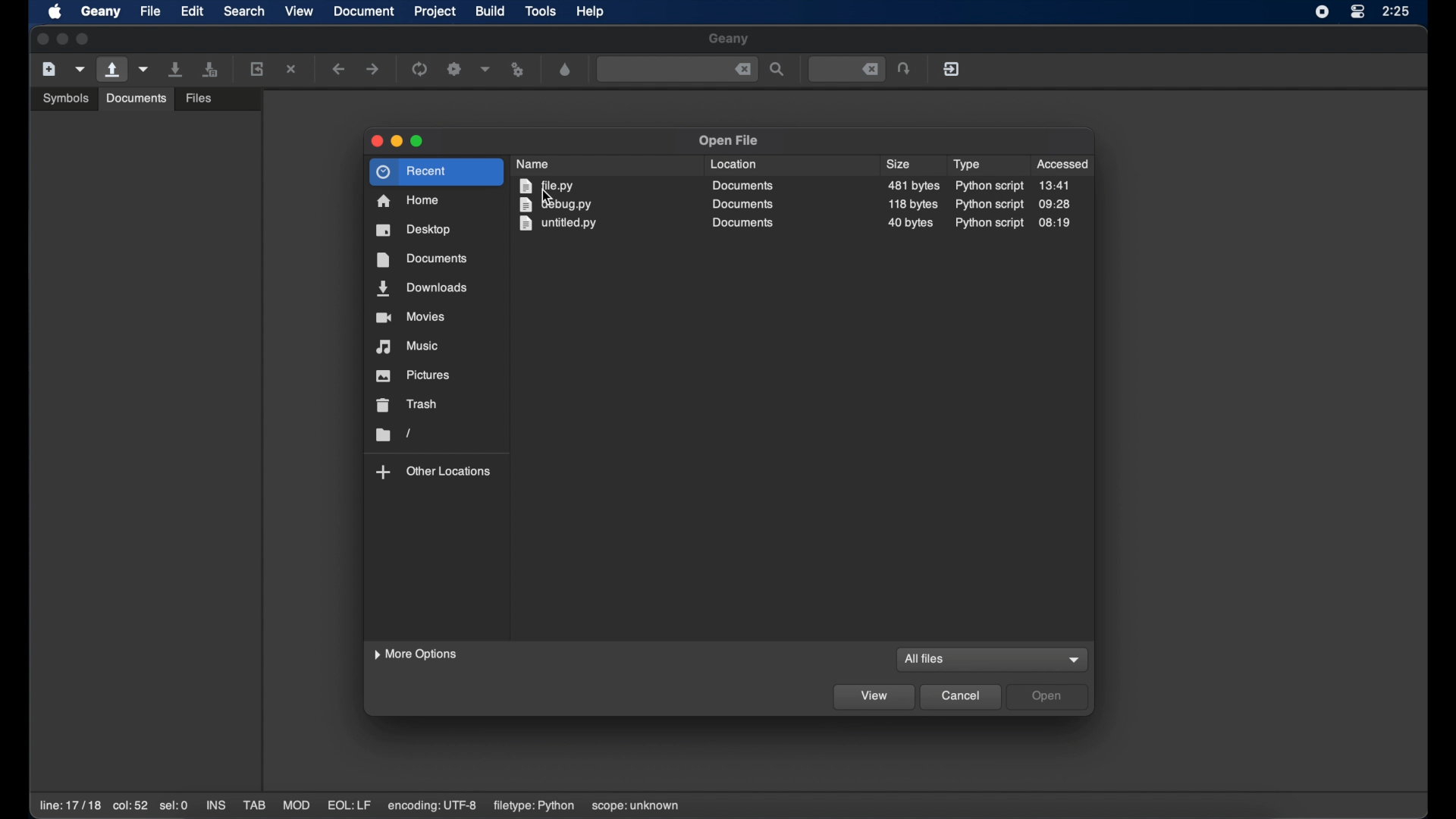 This screenshot has width=1456, height=819. I want to click on home, so click(409, 202).